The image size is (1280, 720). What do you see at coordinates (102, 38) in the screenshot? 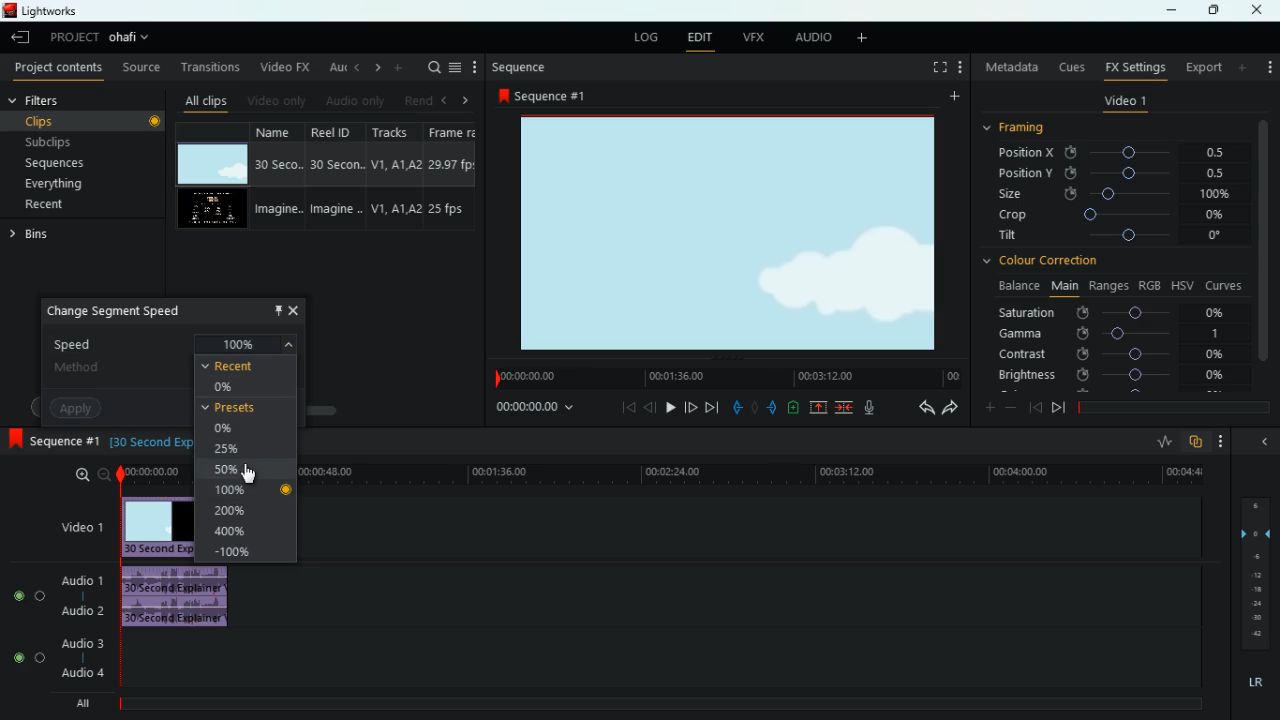
I see `project` at bounding box center [102, 38].